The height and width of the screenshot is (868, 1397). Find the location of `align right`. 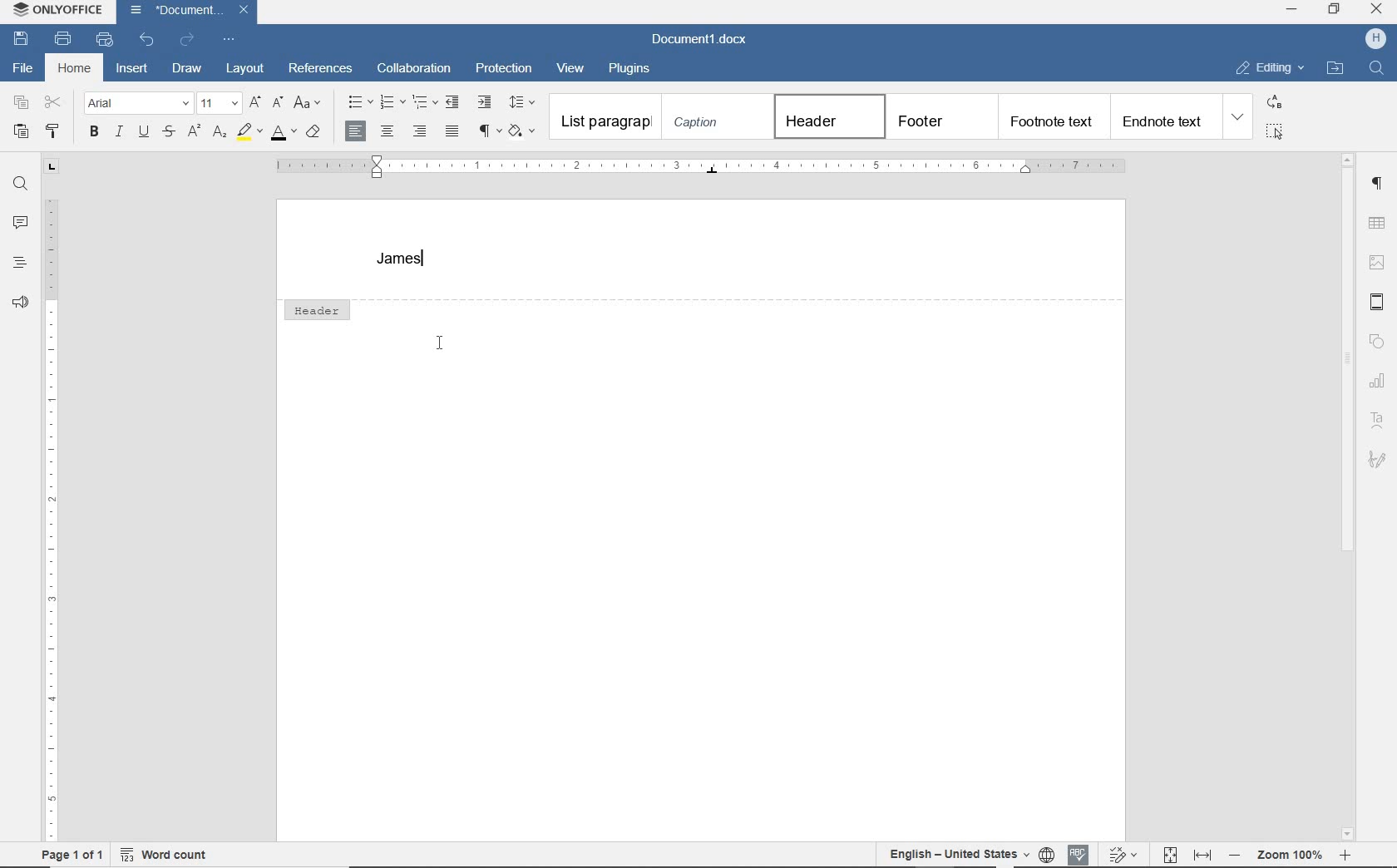

align right is located at coordinates (422, 131).